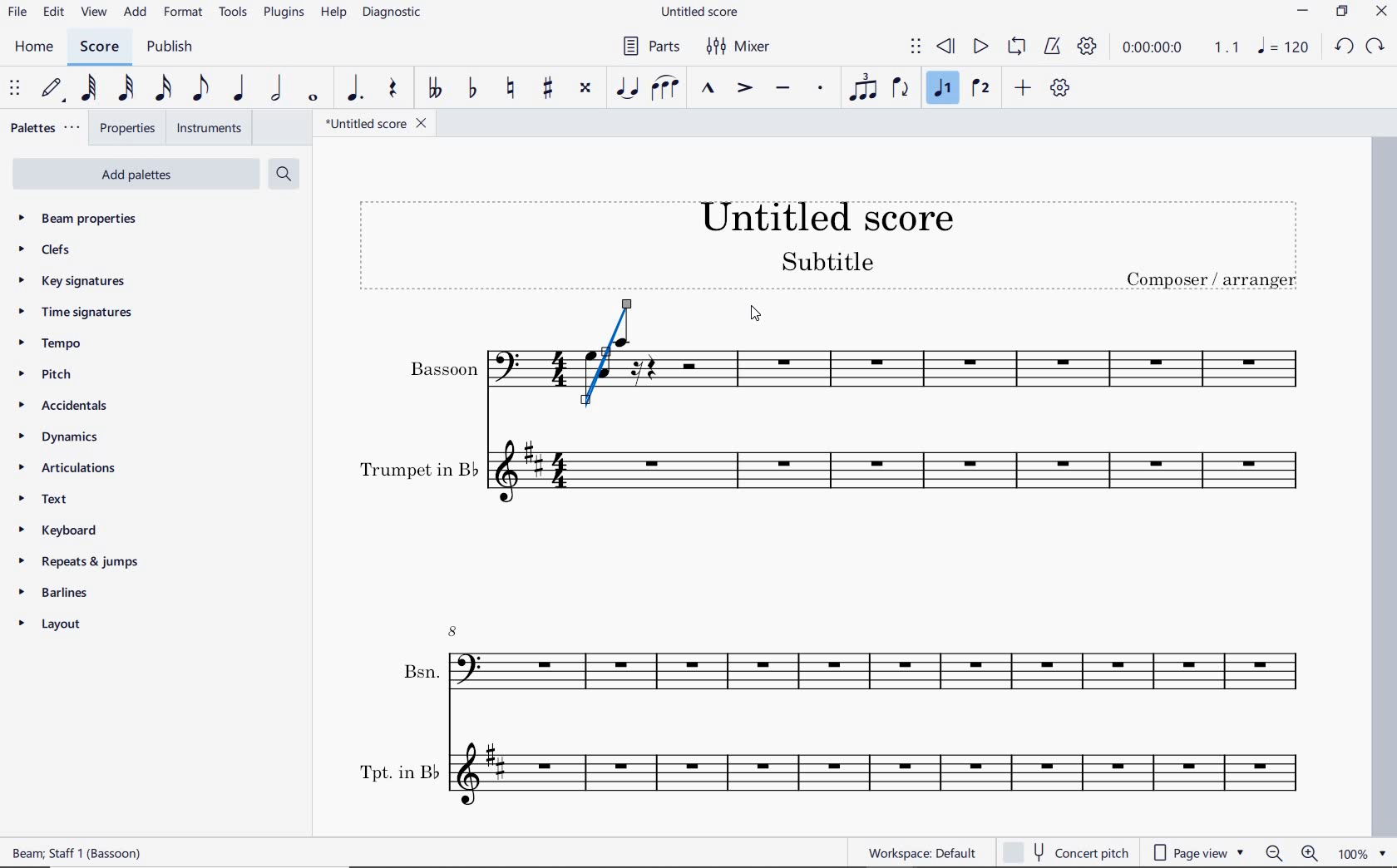 Image resolution: width=1397 pixels, height=868 pixels. I want to click on slur, so click(666, 87).